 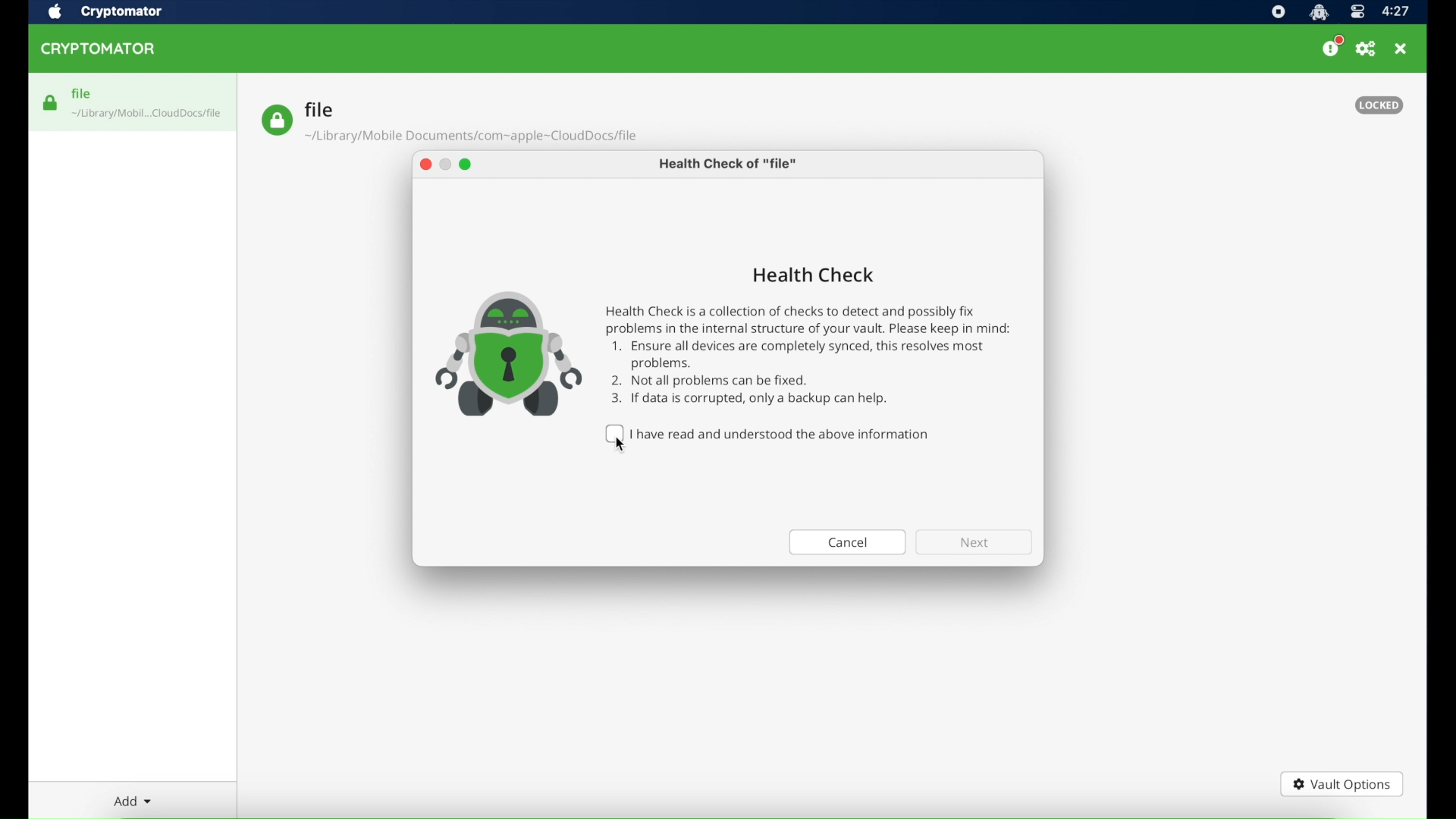 What do you see at coordinates (449, 122) in the screenshot?
I see `file` at bounding box center [449, 122].